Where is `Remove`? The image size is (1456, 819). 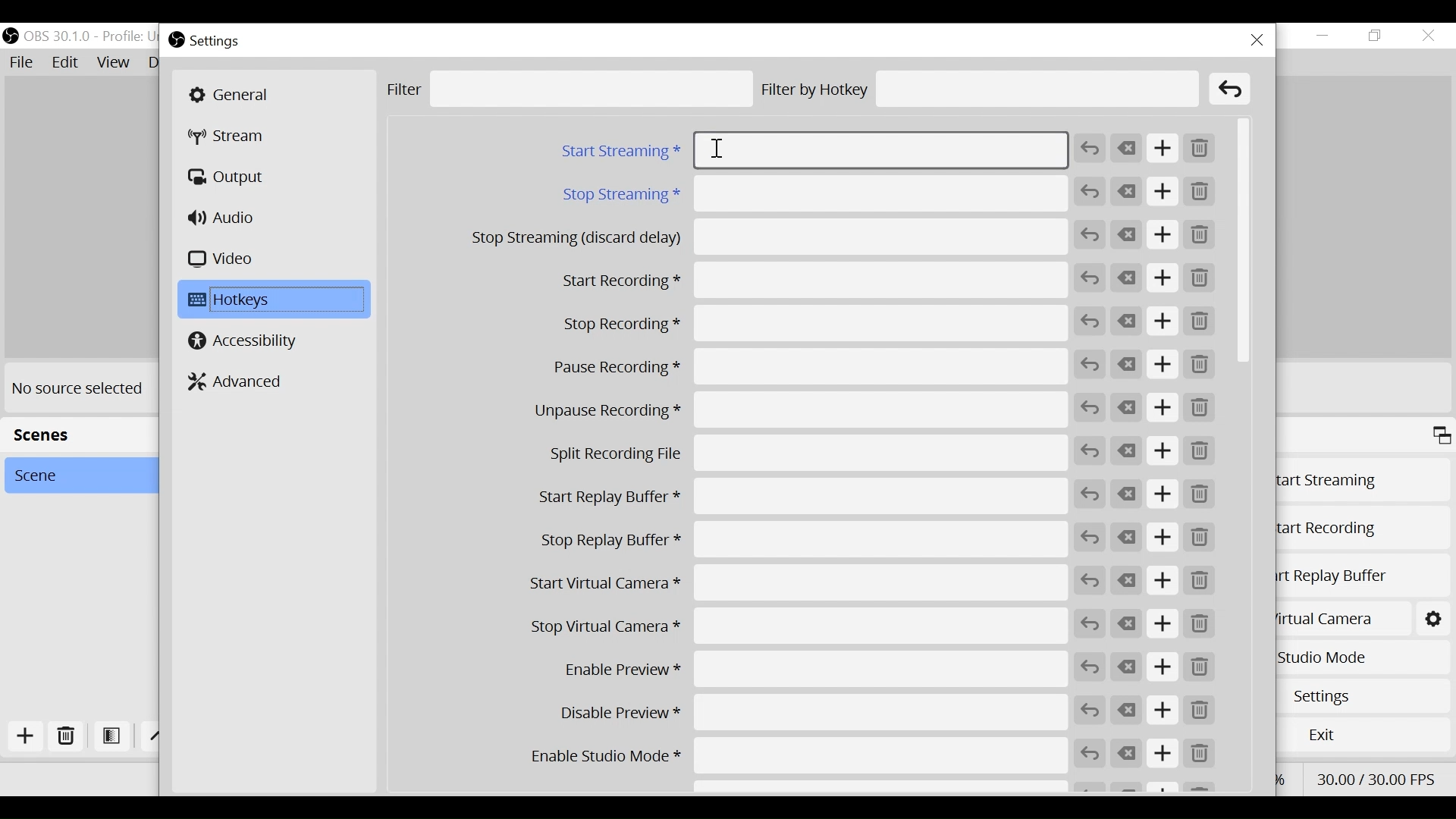 Remove is located at coordinates (1200, 236).